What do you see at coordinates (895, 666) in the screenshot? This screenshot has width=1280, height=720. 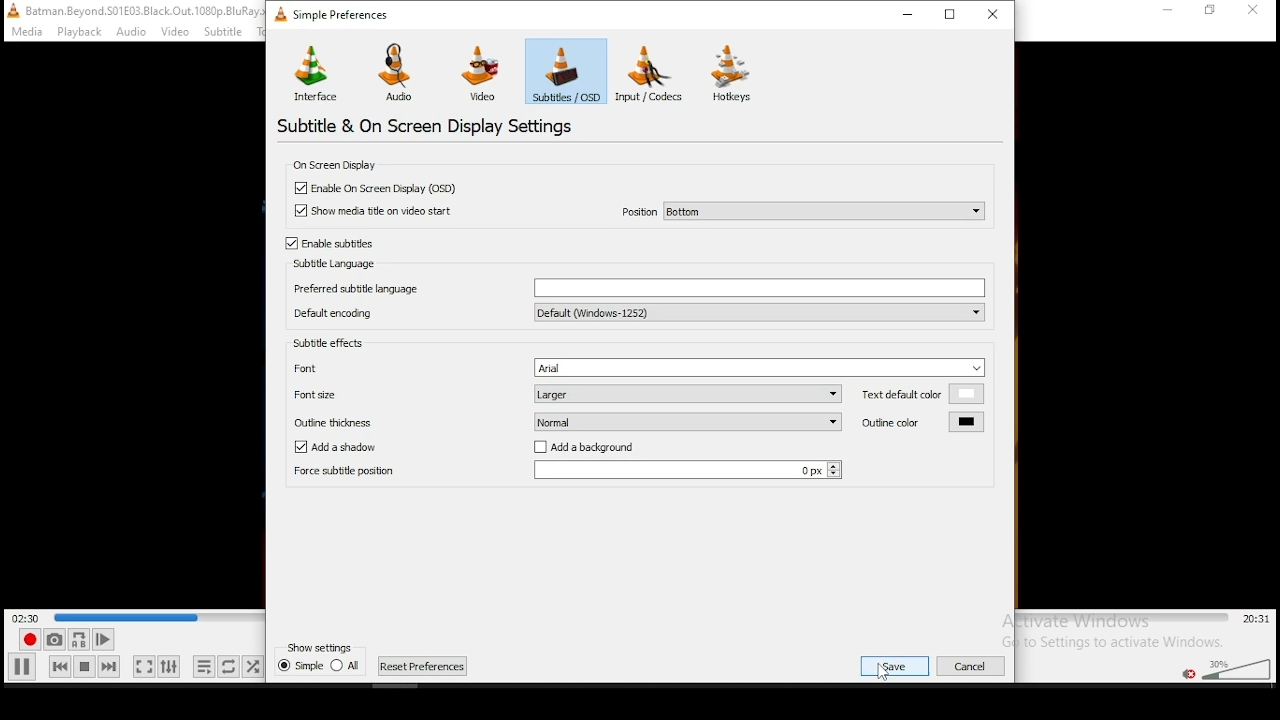 I see `save` at bounding box center [895, 666].